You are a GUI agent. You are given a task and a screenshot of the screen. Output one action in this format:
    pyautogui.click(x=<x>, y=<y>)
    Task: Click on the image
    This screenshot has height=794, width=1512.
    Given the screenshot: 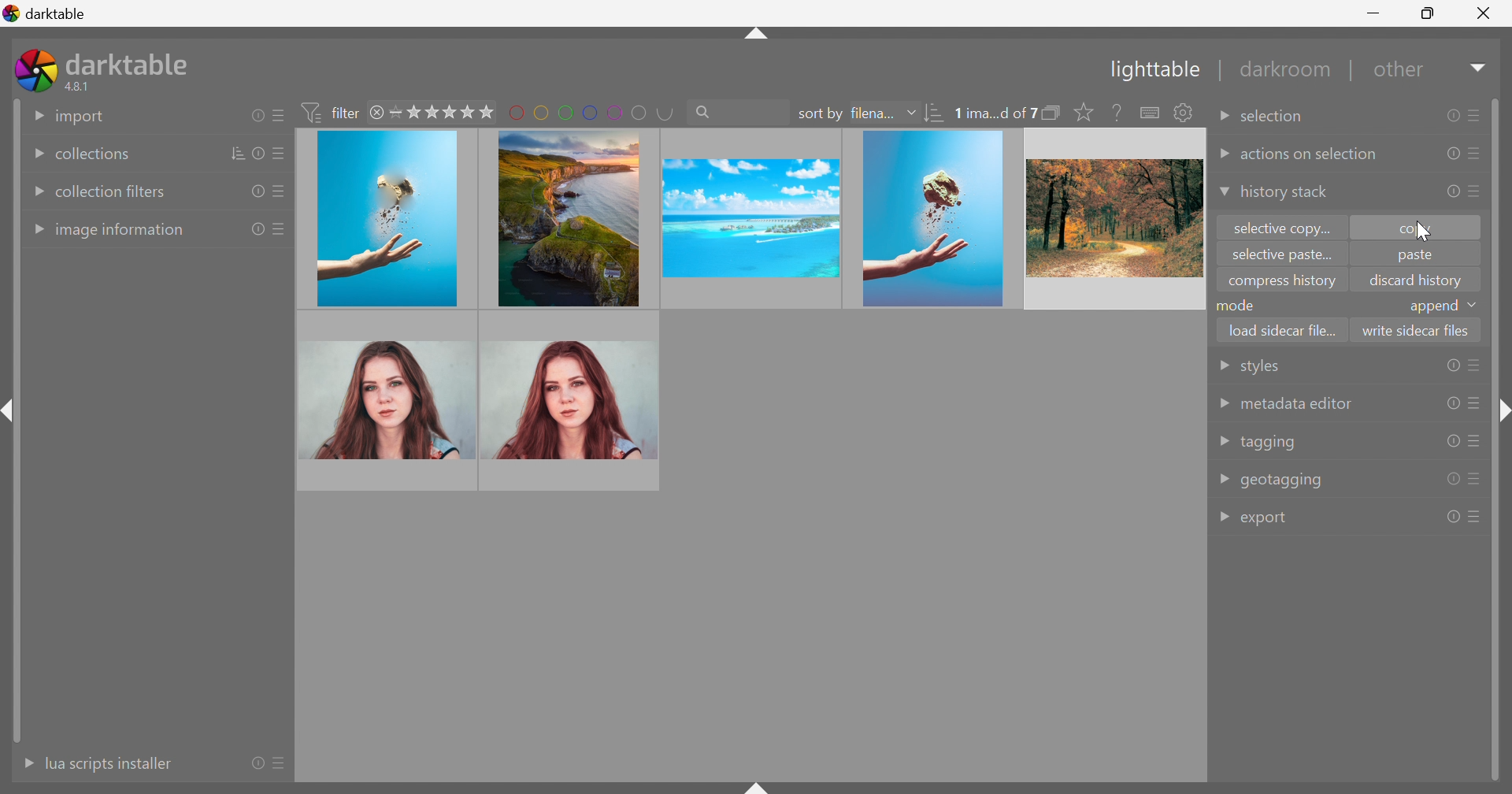 What is the action you would take?
    pyautogui.click(x=933, y=219)
    